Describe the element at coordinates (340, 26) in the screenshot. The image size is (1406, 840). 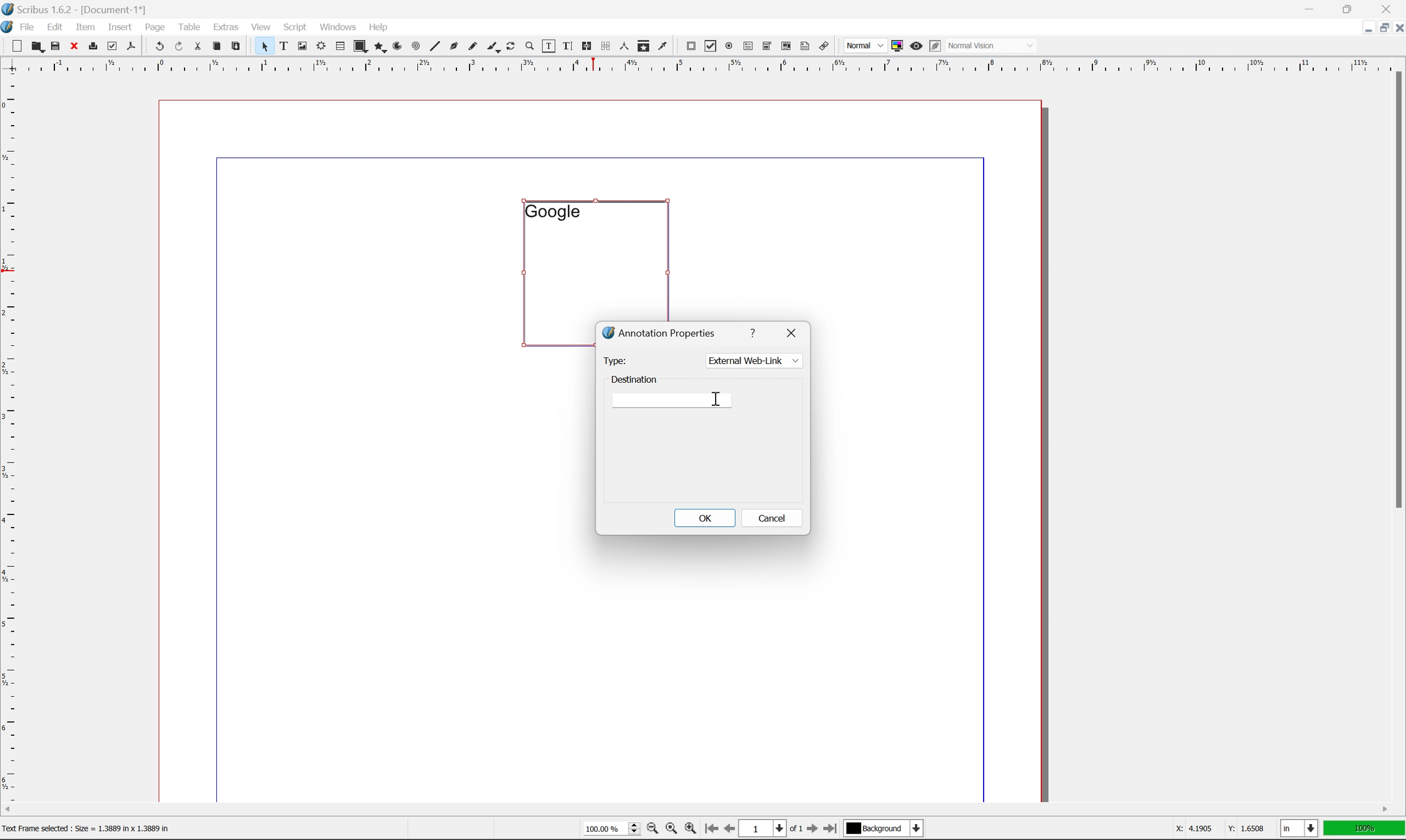
I see `windows` at that location.